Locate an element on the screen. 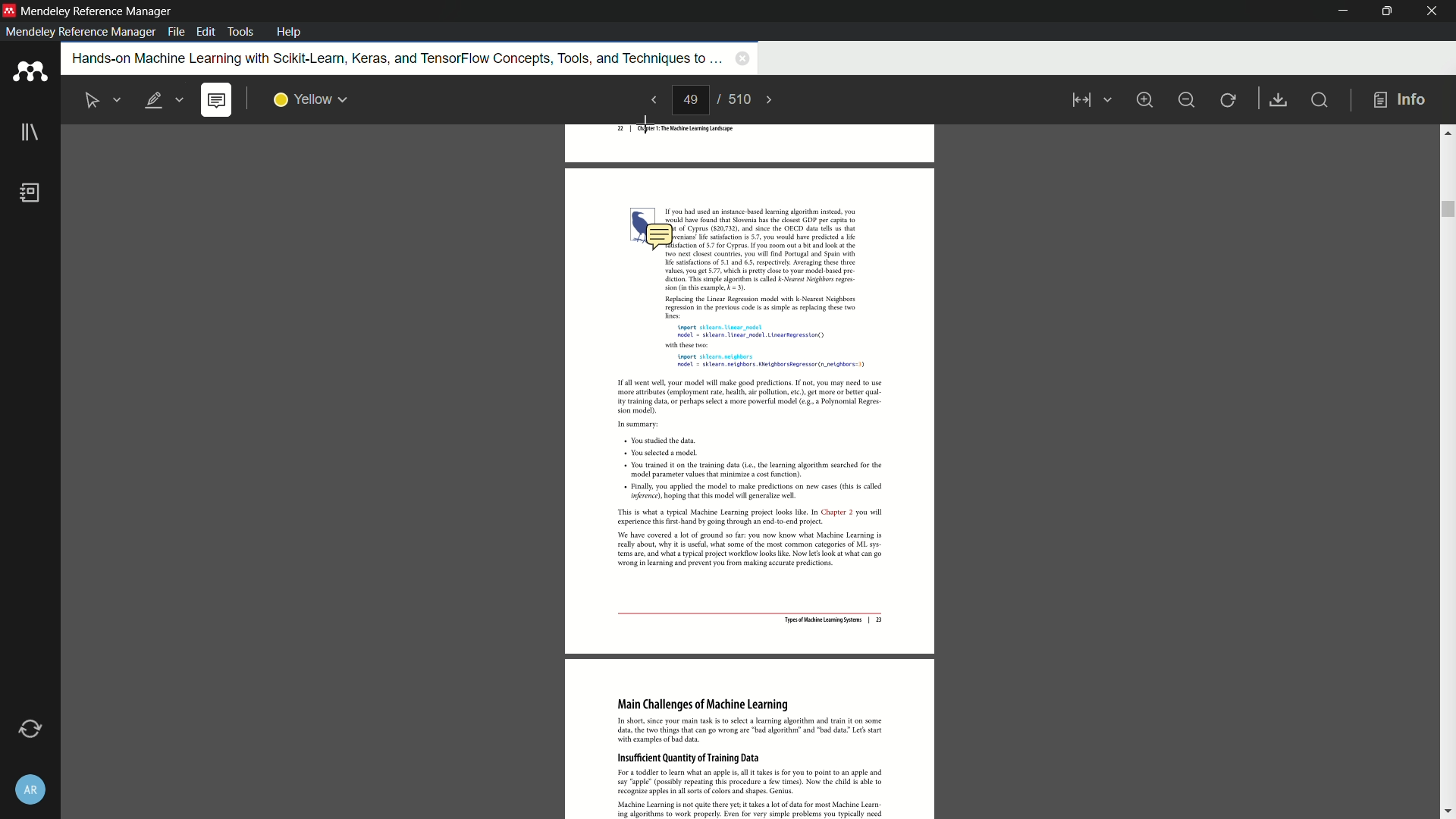 Image resolution: width=1456 pixels, height=819 pixels. close book is located at coordinates (740, 60).